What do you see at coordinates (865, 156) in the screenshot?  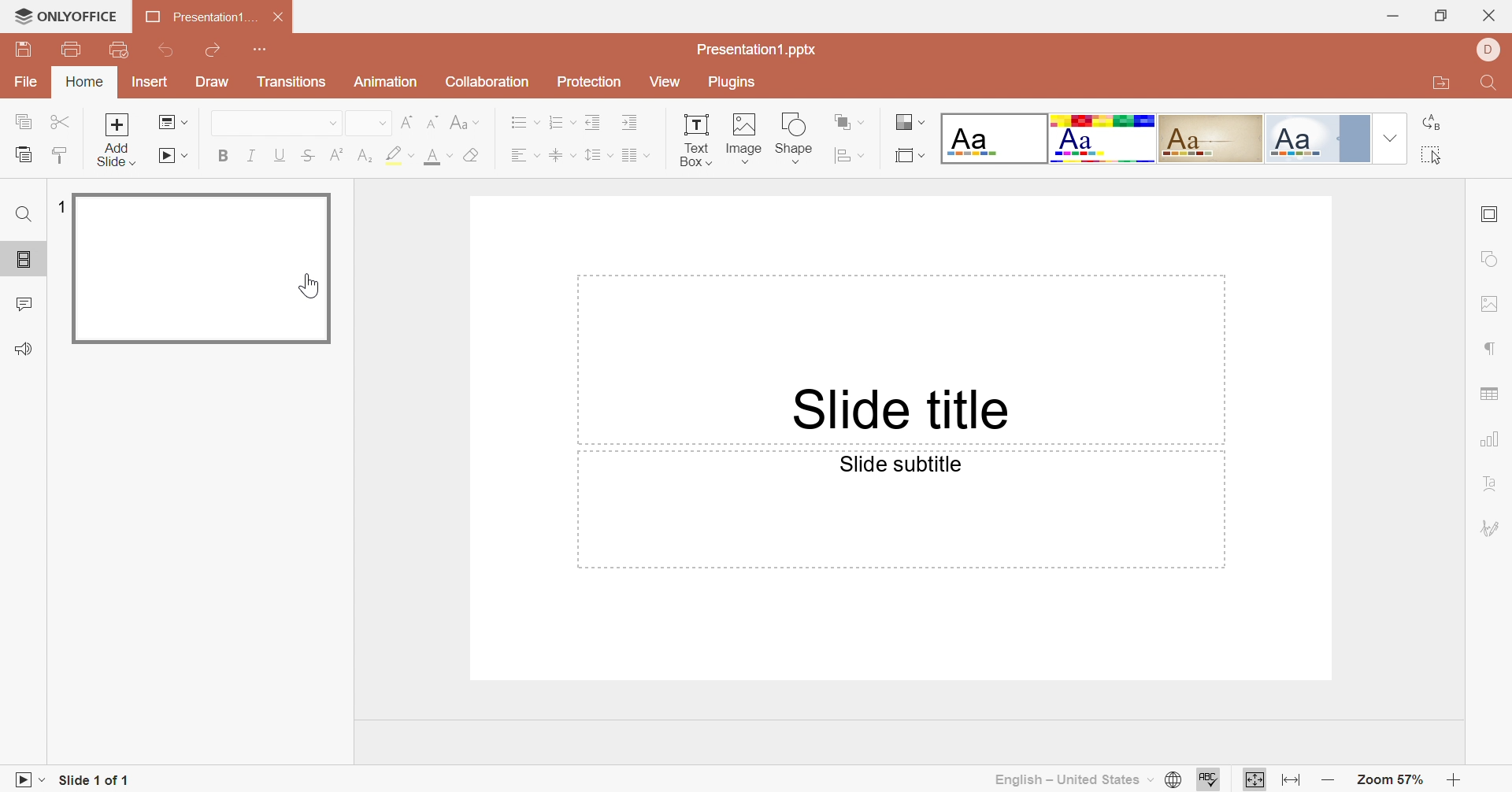 I see `Drop Down` at bounding box center [865, 156].